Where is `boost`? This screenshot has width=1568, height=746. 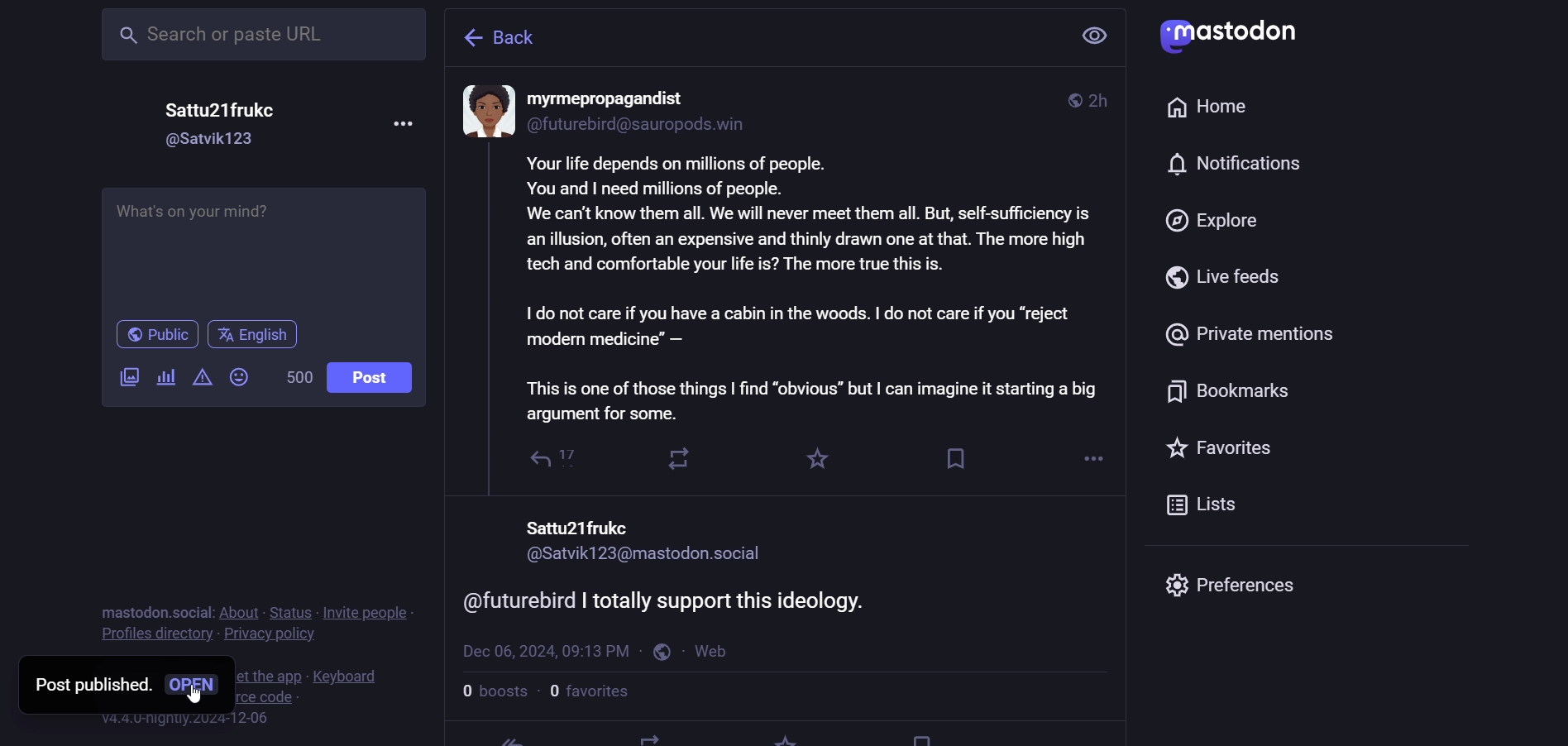
boost is located at coordinates (654, 735).